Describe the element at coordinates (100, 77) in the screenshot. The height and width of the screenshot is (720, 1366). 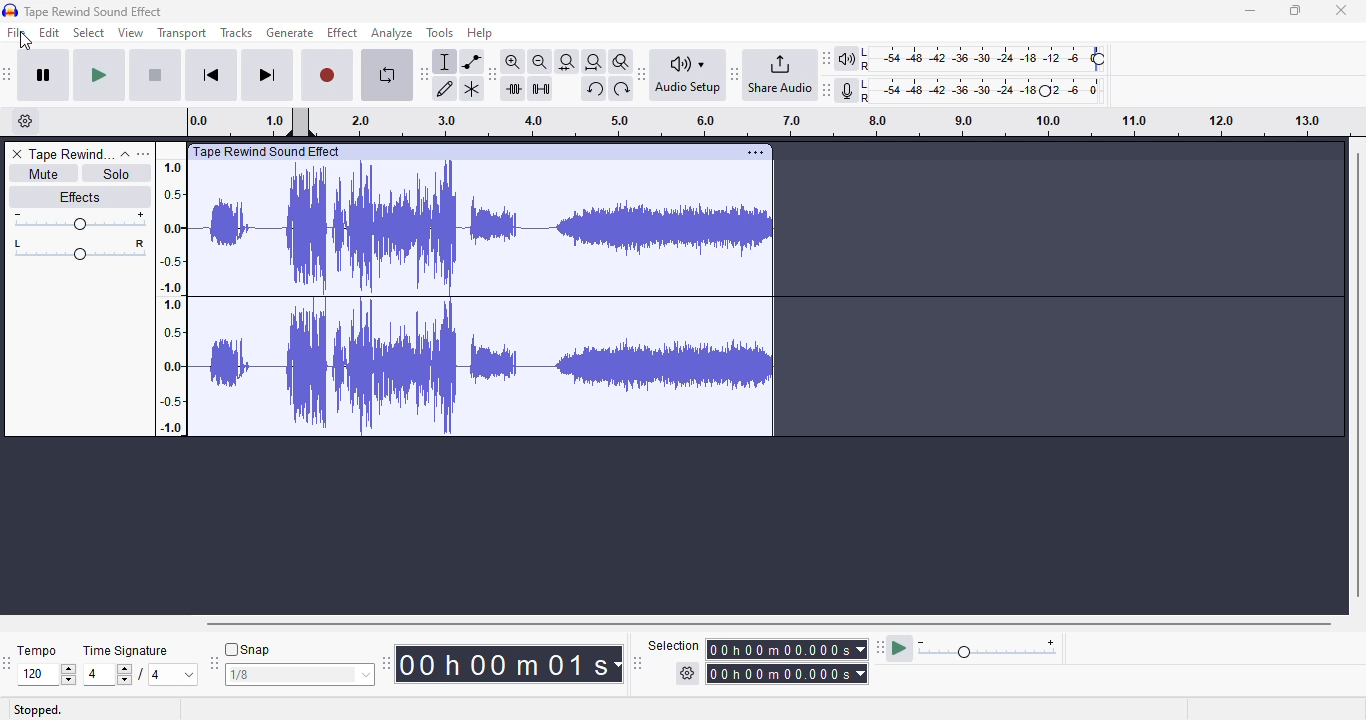
I see `play` at that location.